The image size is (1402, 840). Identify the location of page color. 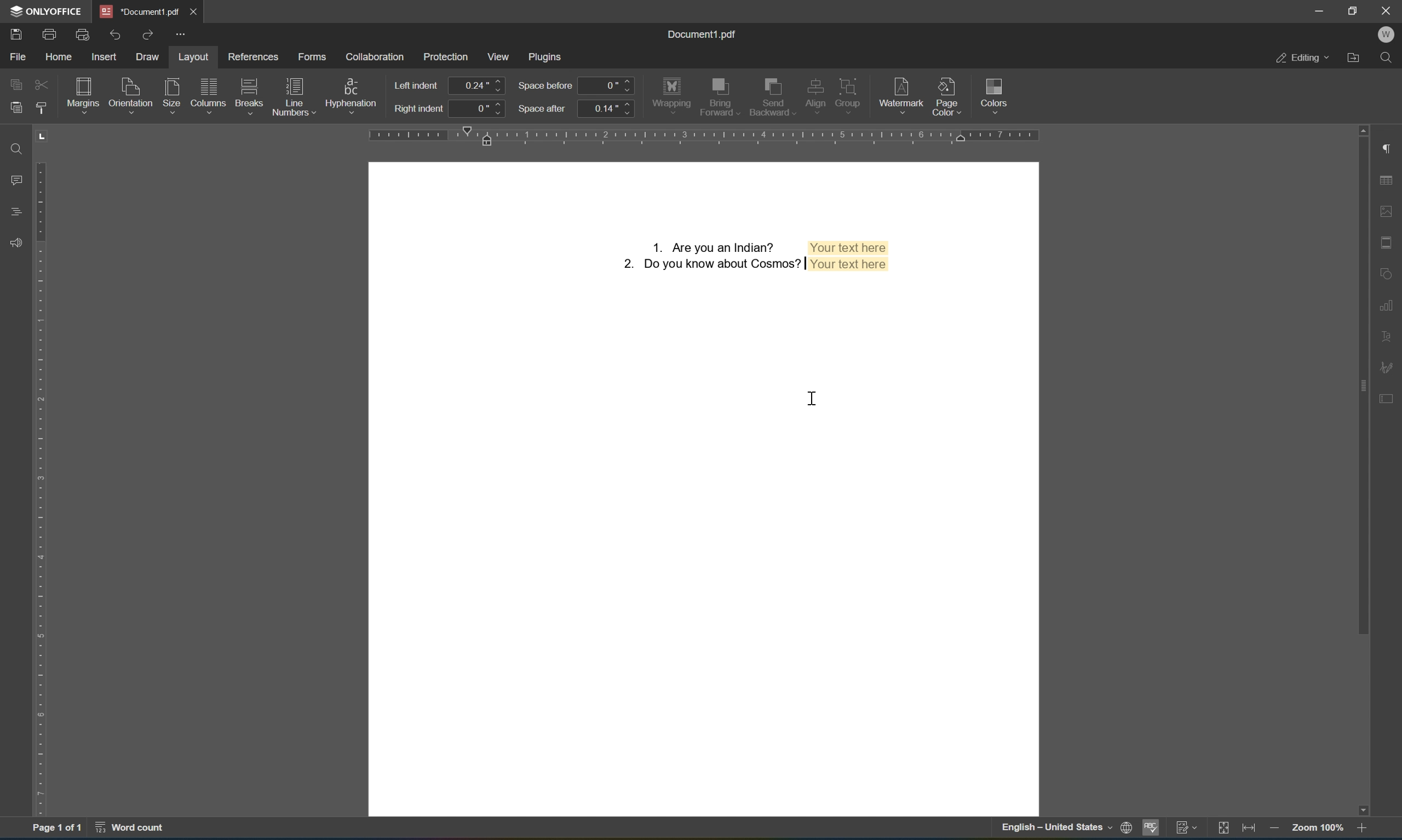
(950, 94).